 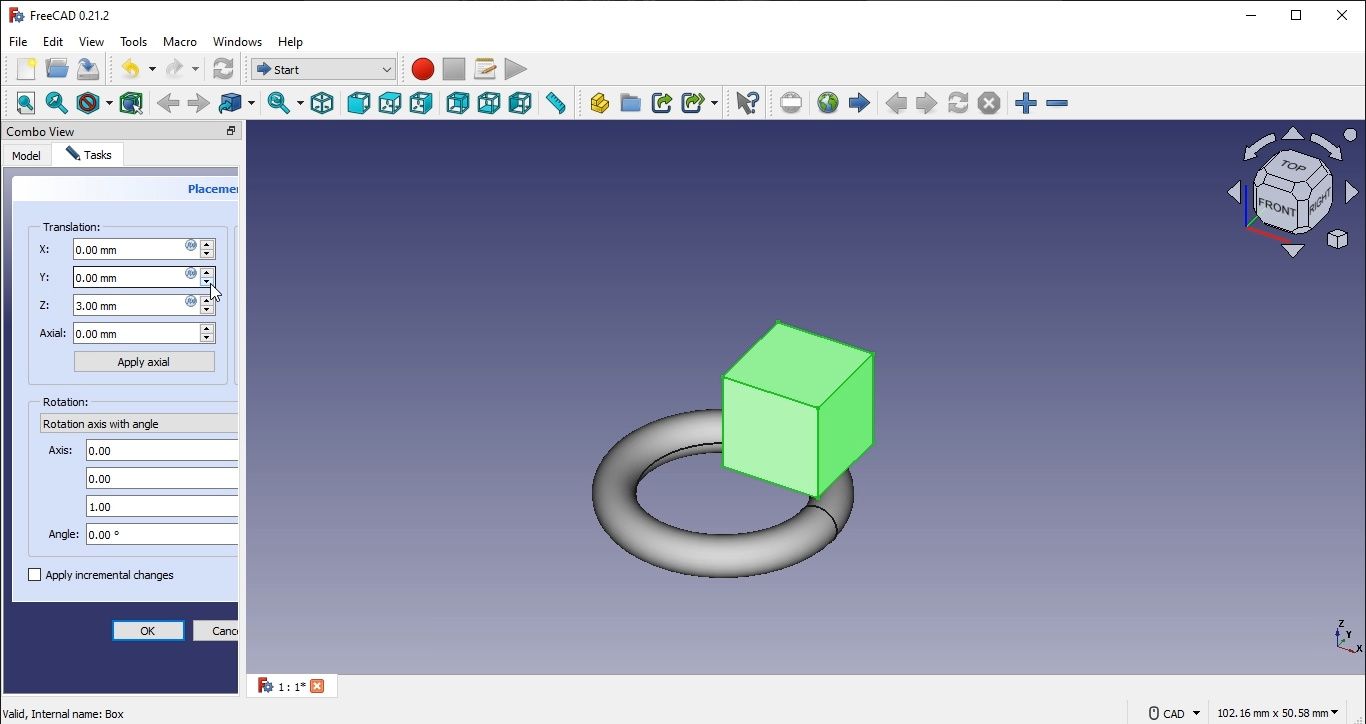 I want to click on fit all, so click(x=26, y=102).